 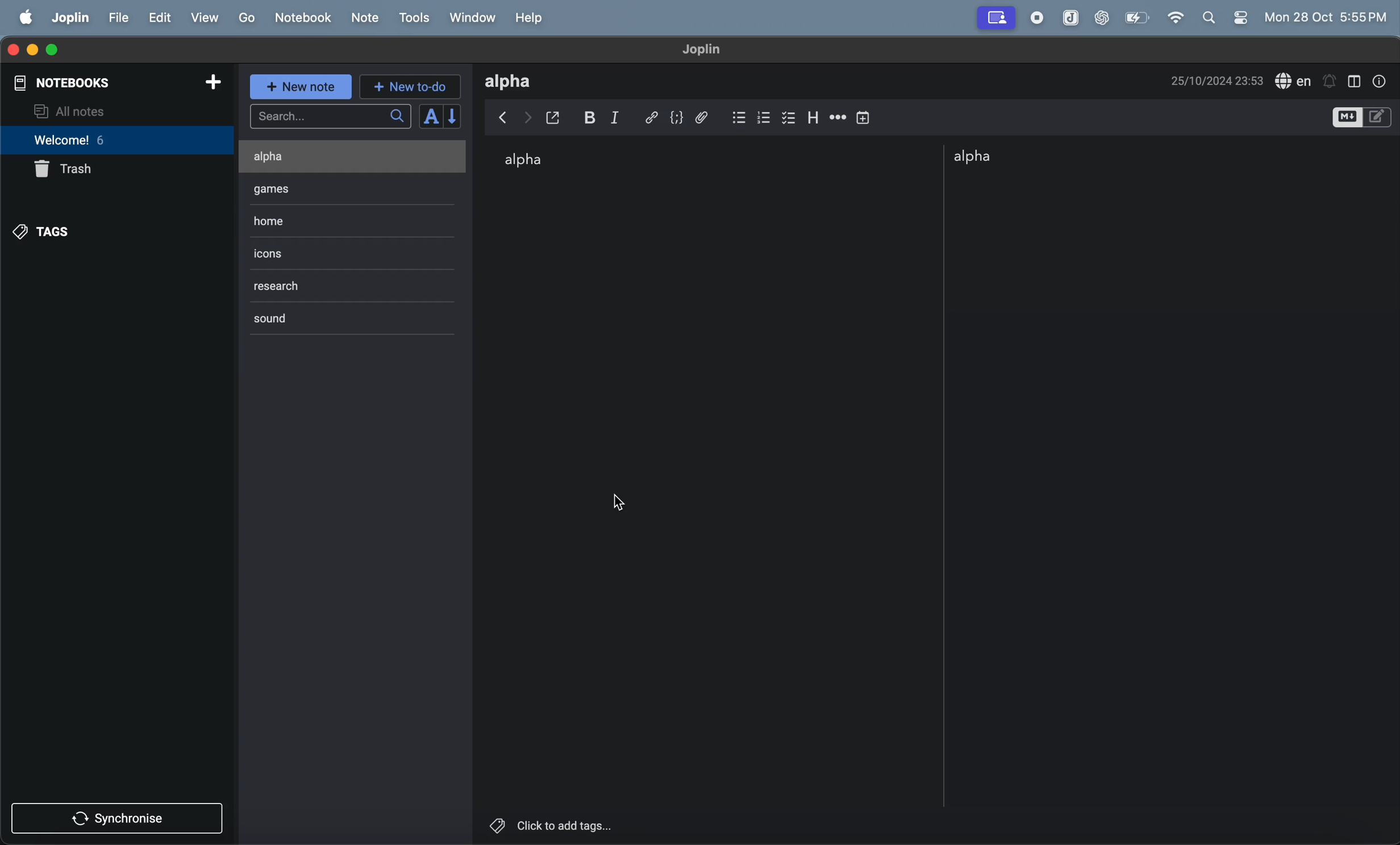 I want to click on numbered list, so click(x=764, y=115).